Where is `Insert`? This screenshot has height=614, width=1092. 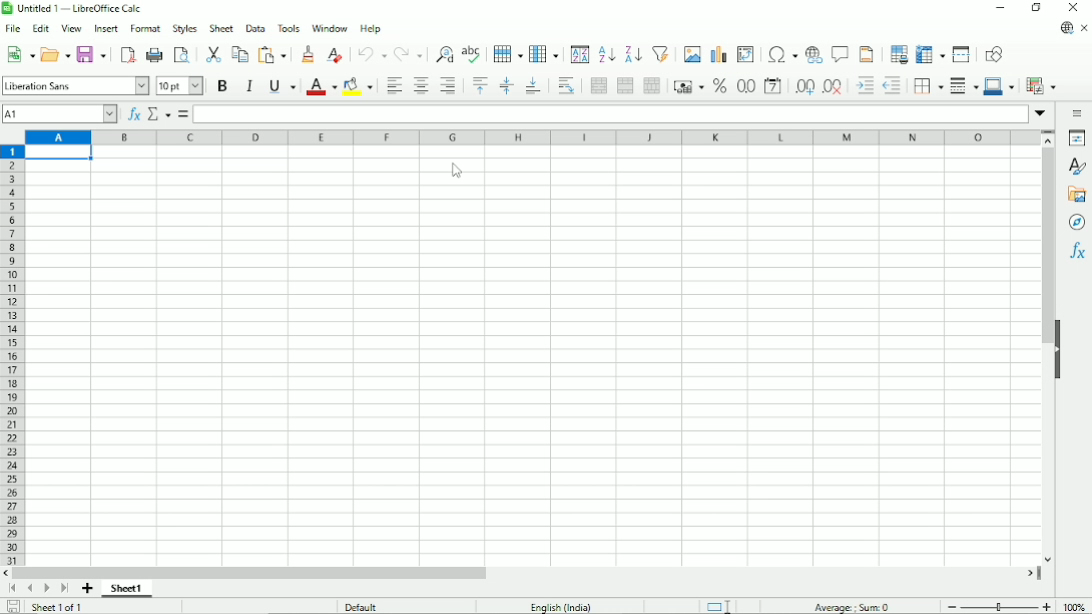 Insert is located at coordinates (104, 28).